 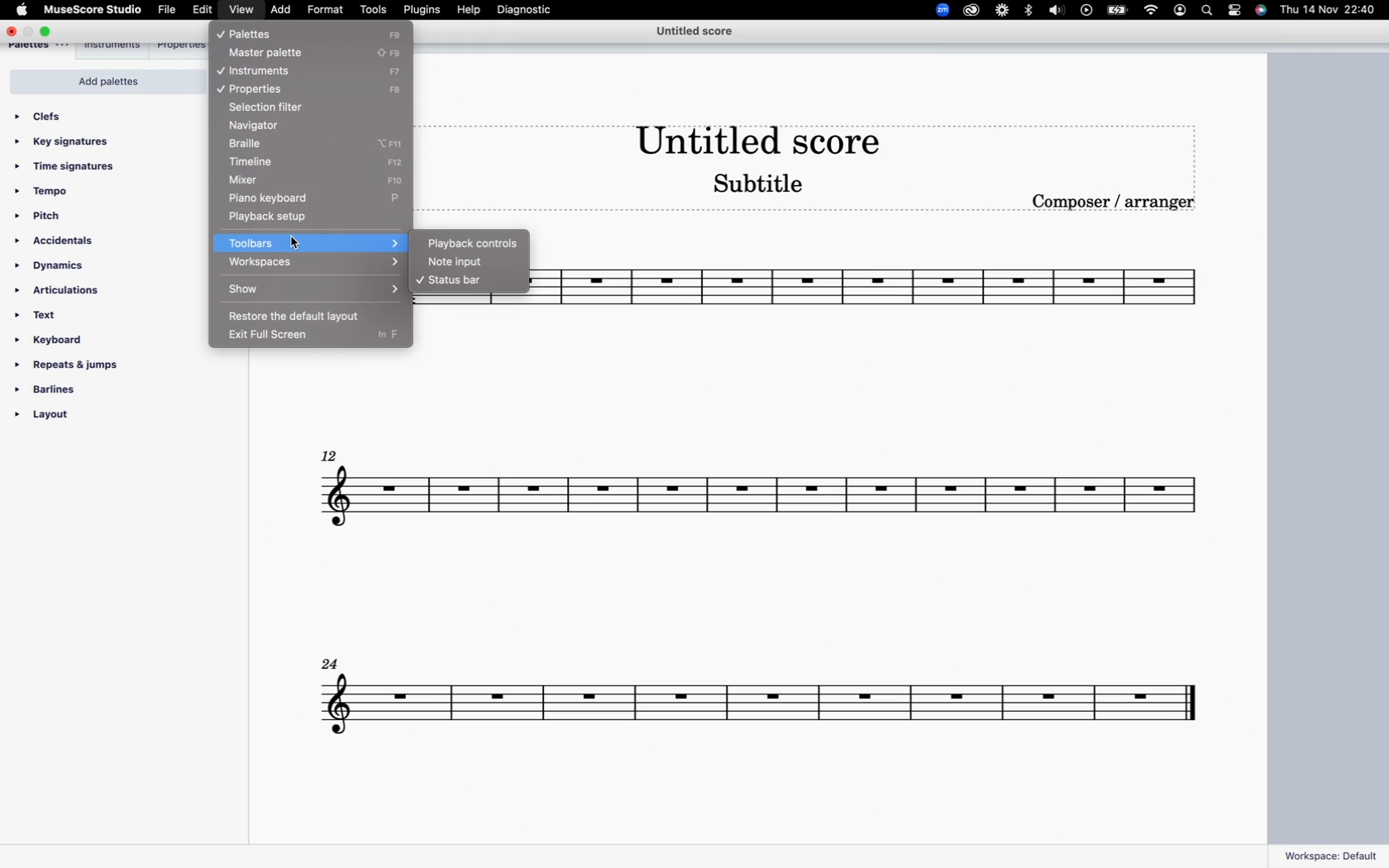 What do you see at coordinates (472, 12) in the screenshot?
I see `help` at bounding box center [472, 12].